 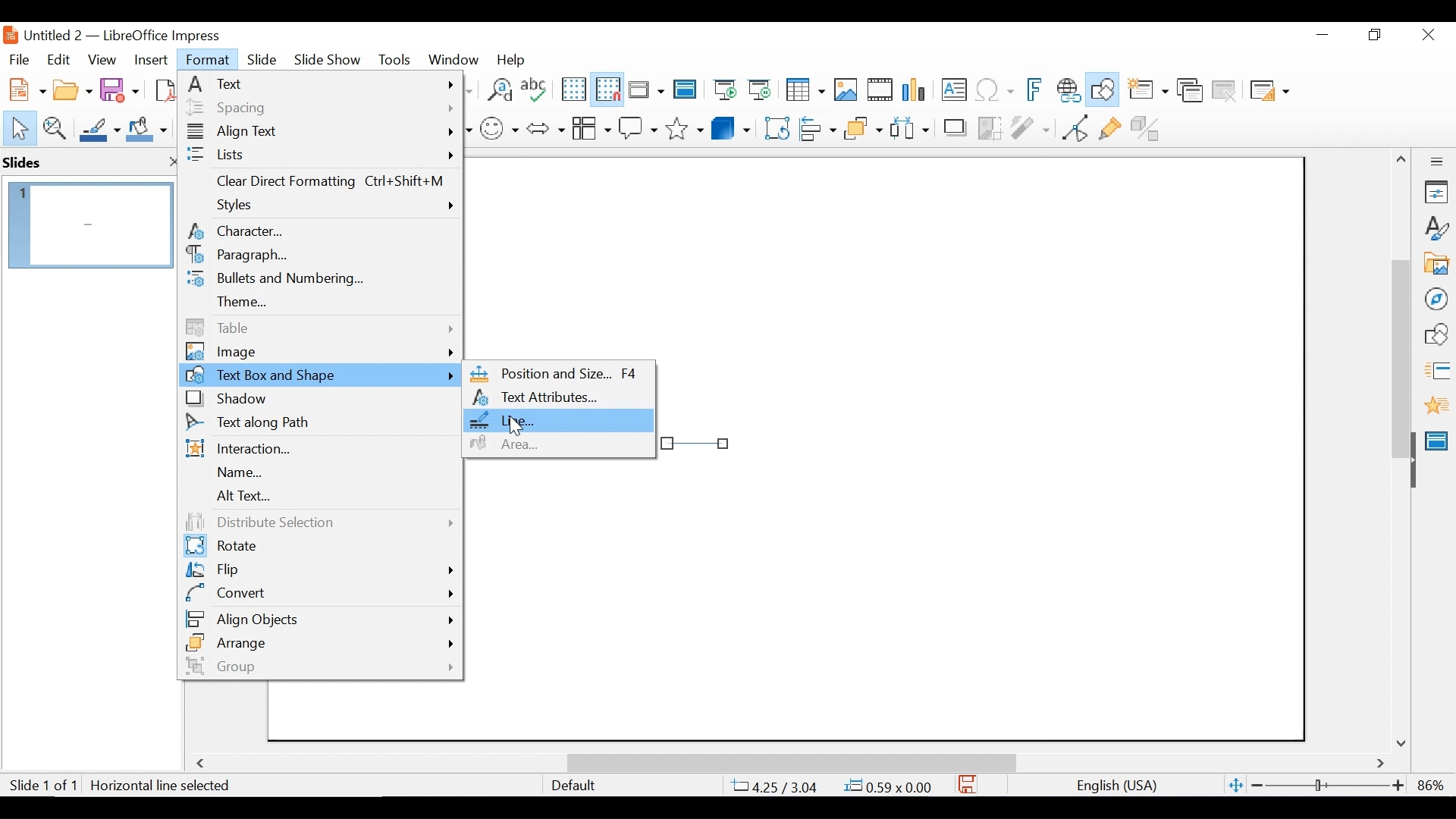 I want to click on Rotate, so click(x=317, y=547).